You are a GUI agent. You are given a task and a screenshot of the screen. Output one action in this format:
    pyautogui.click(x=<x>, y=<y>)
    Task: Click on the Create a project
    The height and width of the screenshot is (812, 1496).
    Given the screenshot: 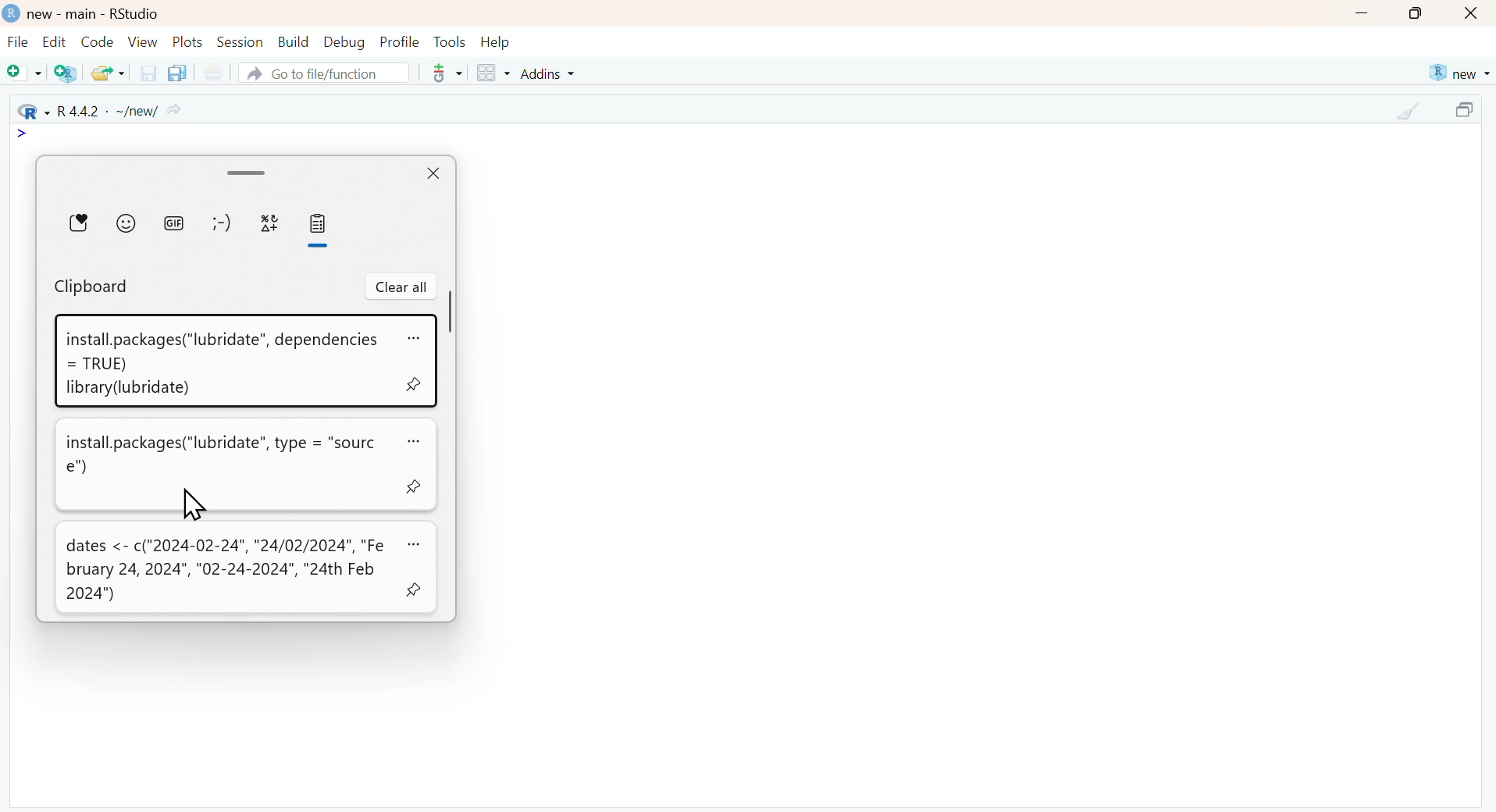 What is the action you would take?
    pyautogui.click(x=67, y=73)
    